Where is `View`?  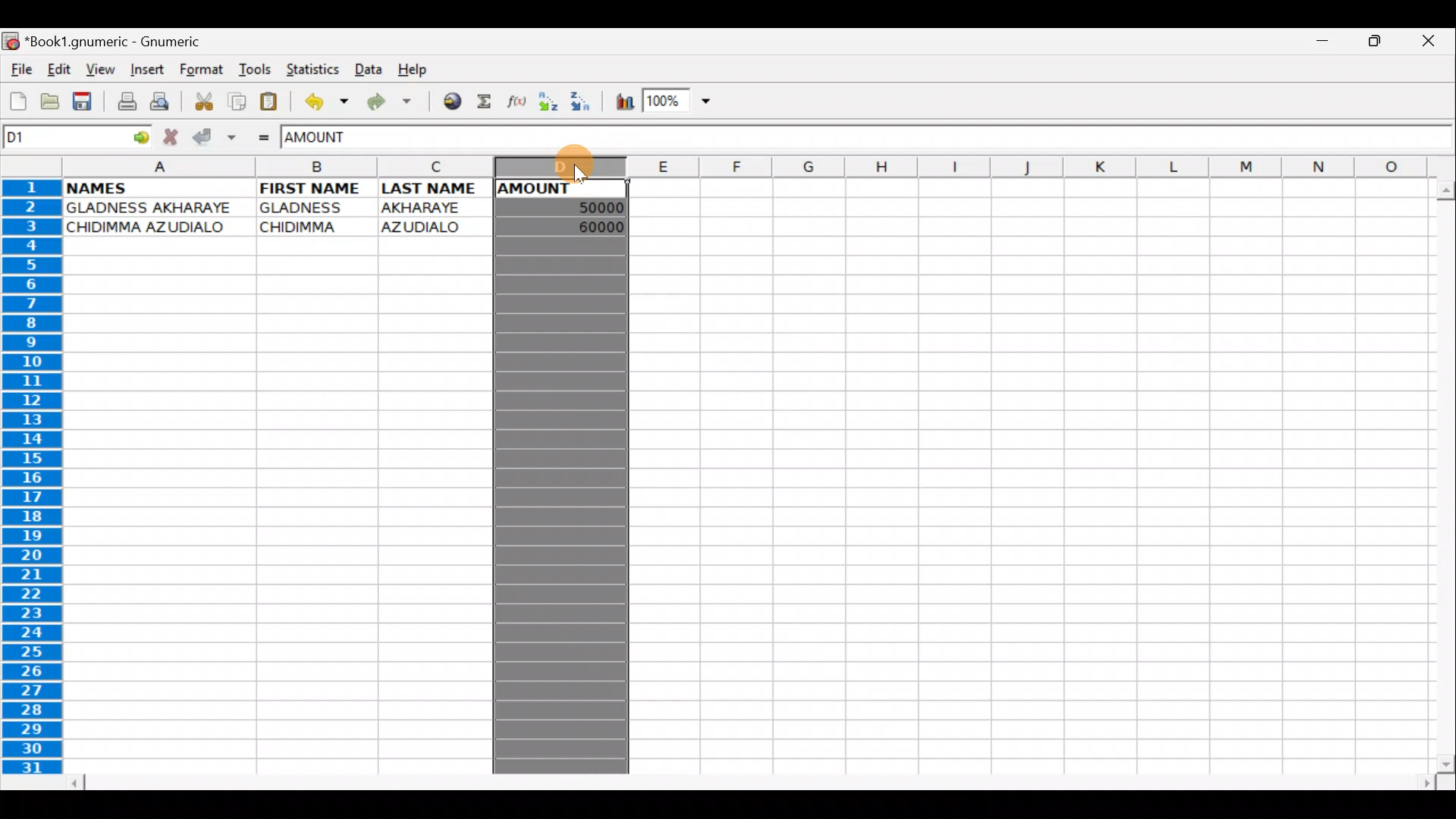 View is located at coordinates (101, 69).